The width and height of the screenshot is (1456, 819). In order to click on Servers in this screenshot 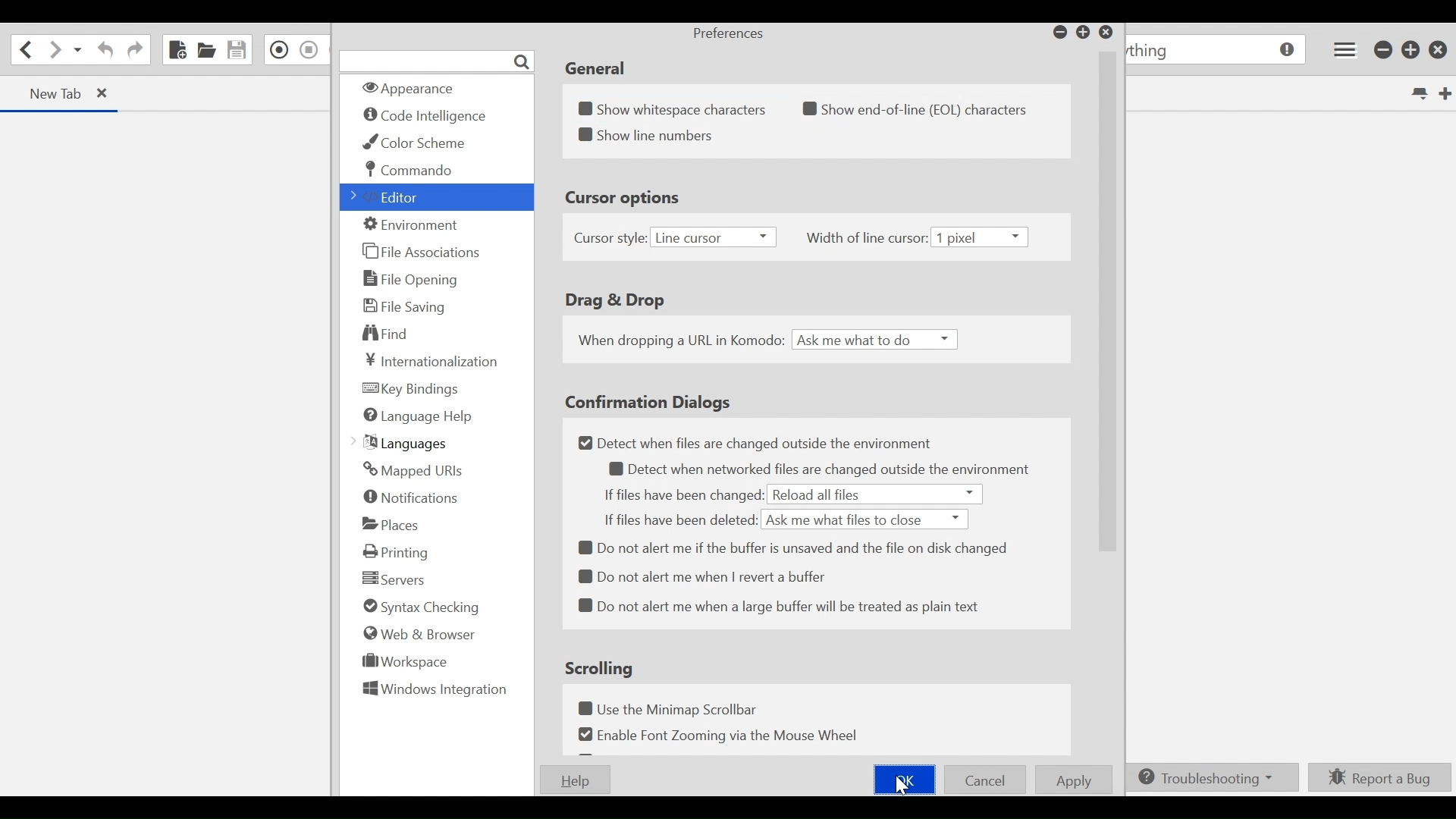, I will do `click(391, 578)`.